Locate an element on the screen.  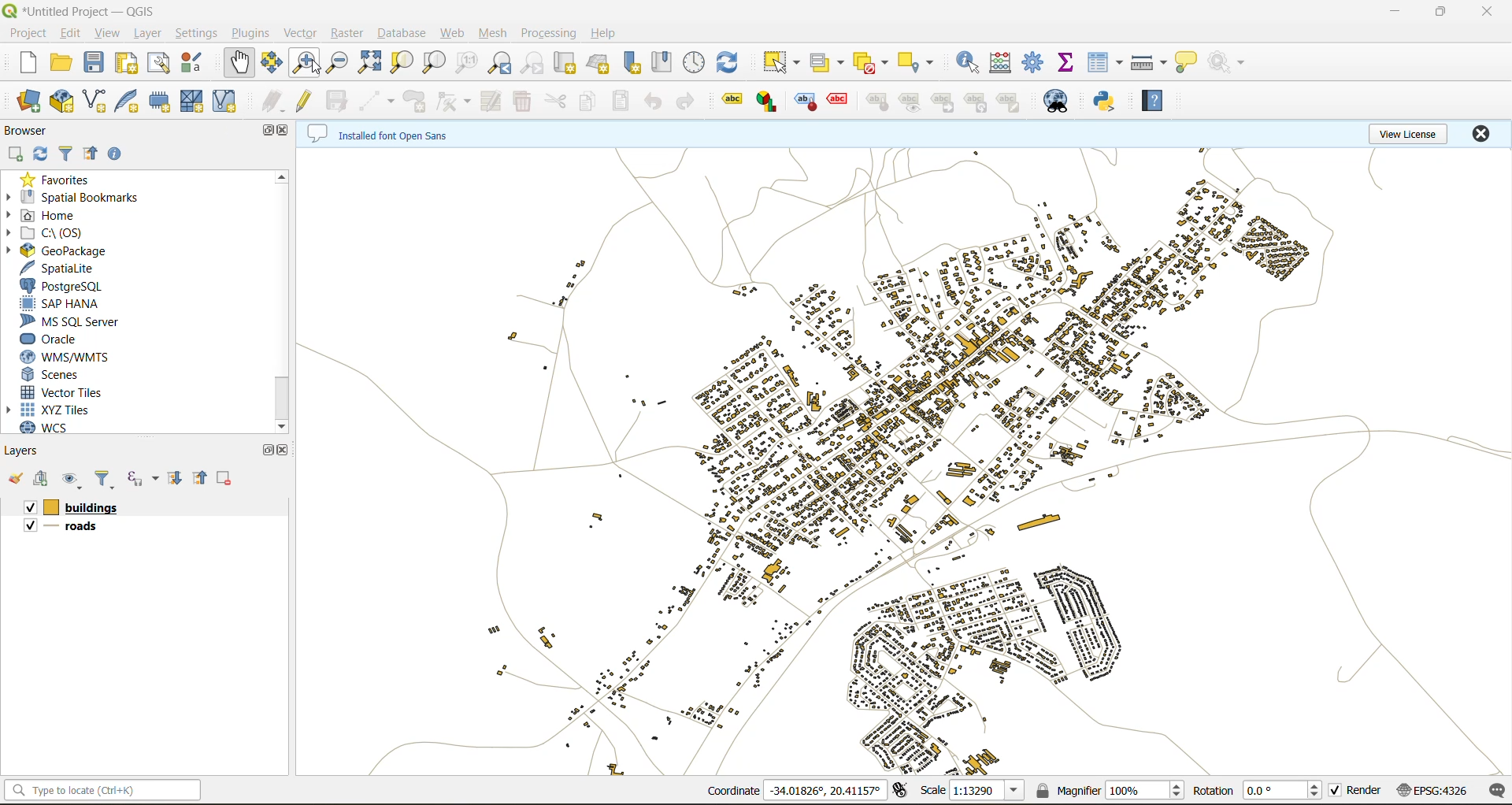
new 3d map is located at coordinates (603, 61).